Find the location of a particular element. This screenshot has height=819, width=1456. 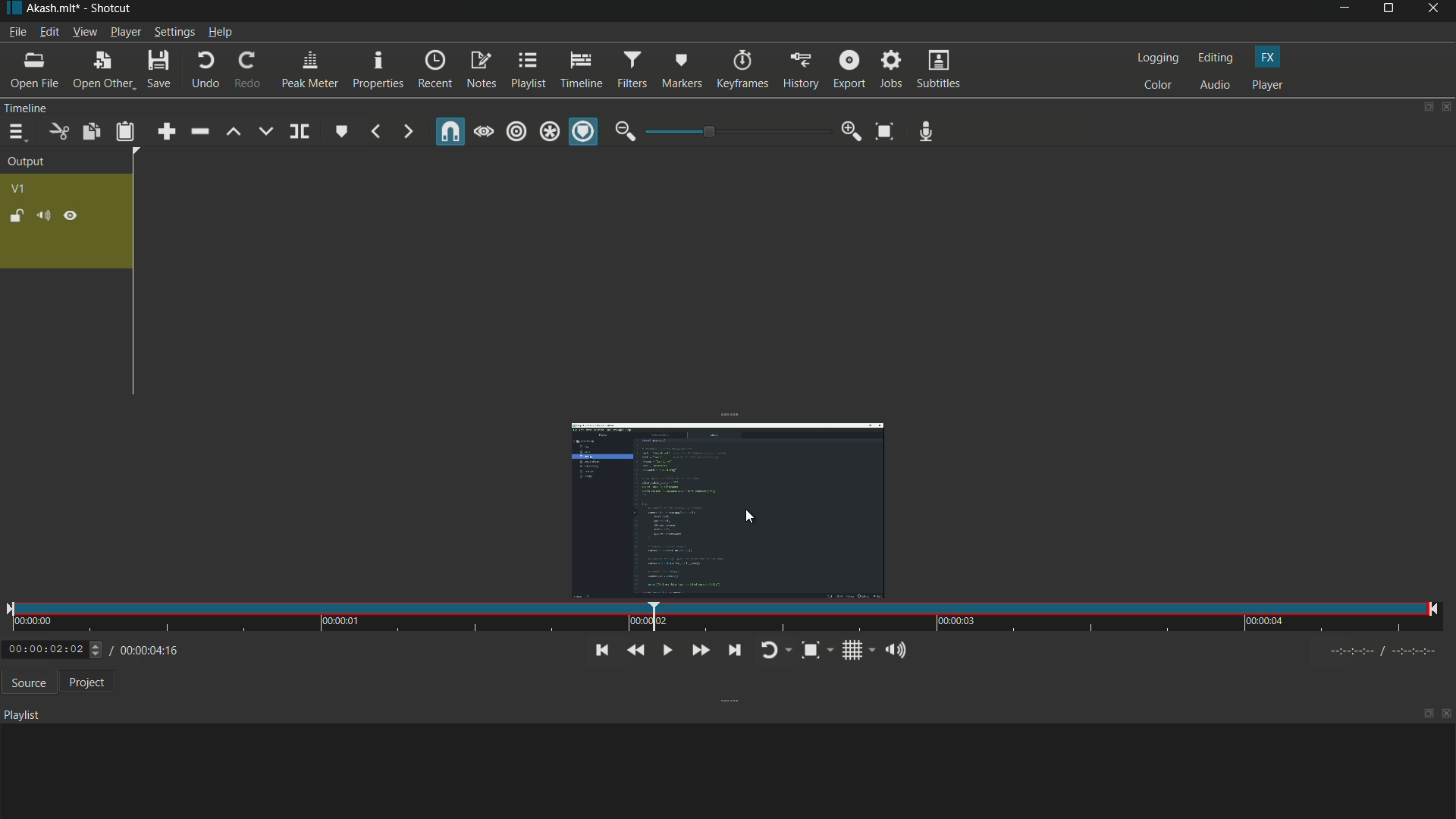

app icon is located at coordinates (11, 9).